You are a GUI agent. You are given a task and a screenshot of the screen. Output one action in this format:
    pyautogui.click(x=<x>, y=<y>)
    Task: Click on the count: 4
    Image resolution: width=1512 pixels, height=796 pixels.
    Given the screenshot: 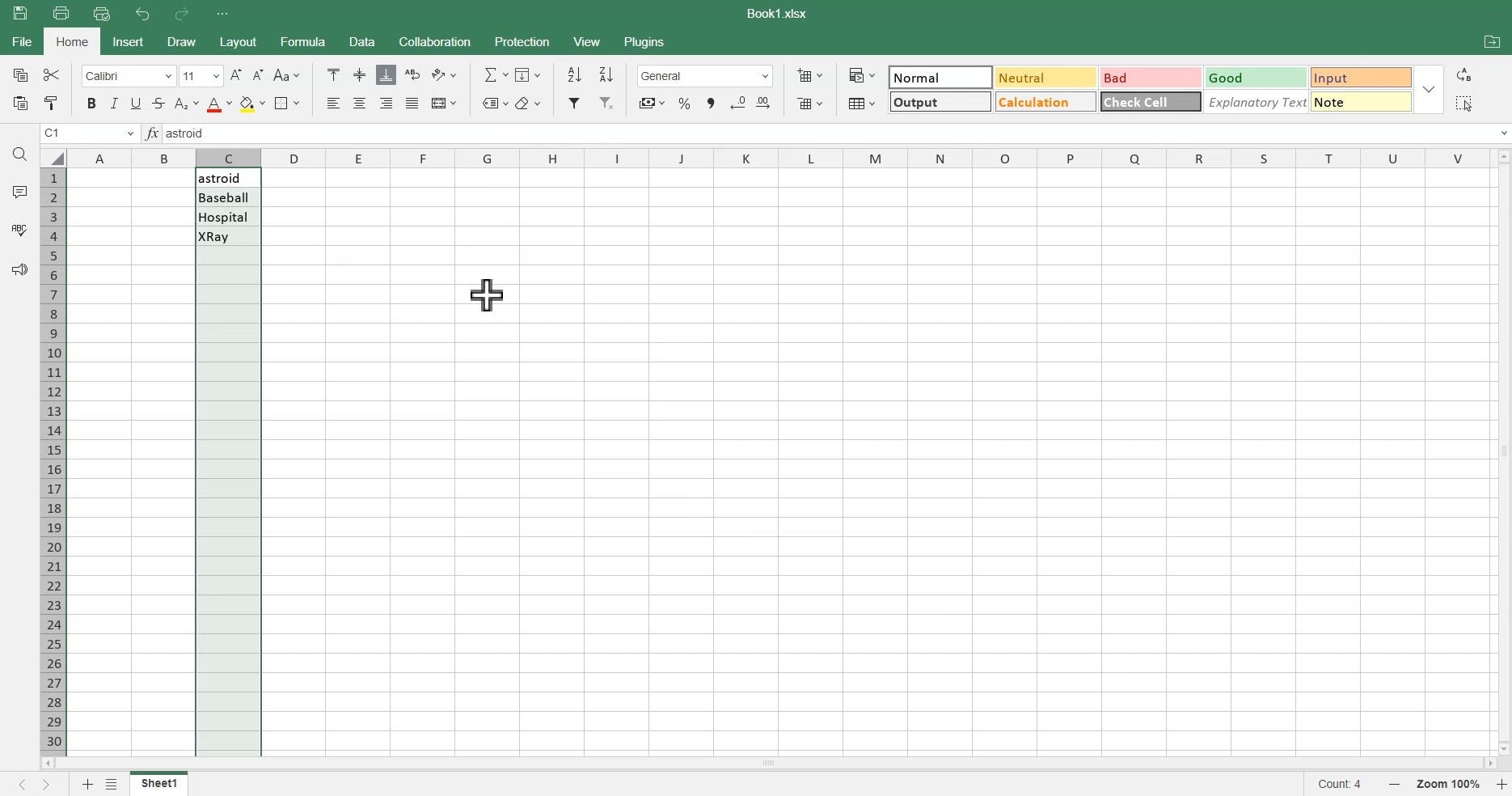 What is the action you would take?
    pyautogui.click(x=1346, y=785)
    